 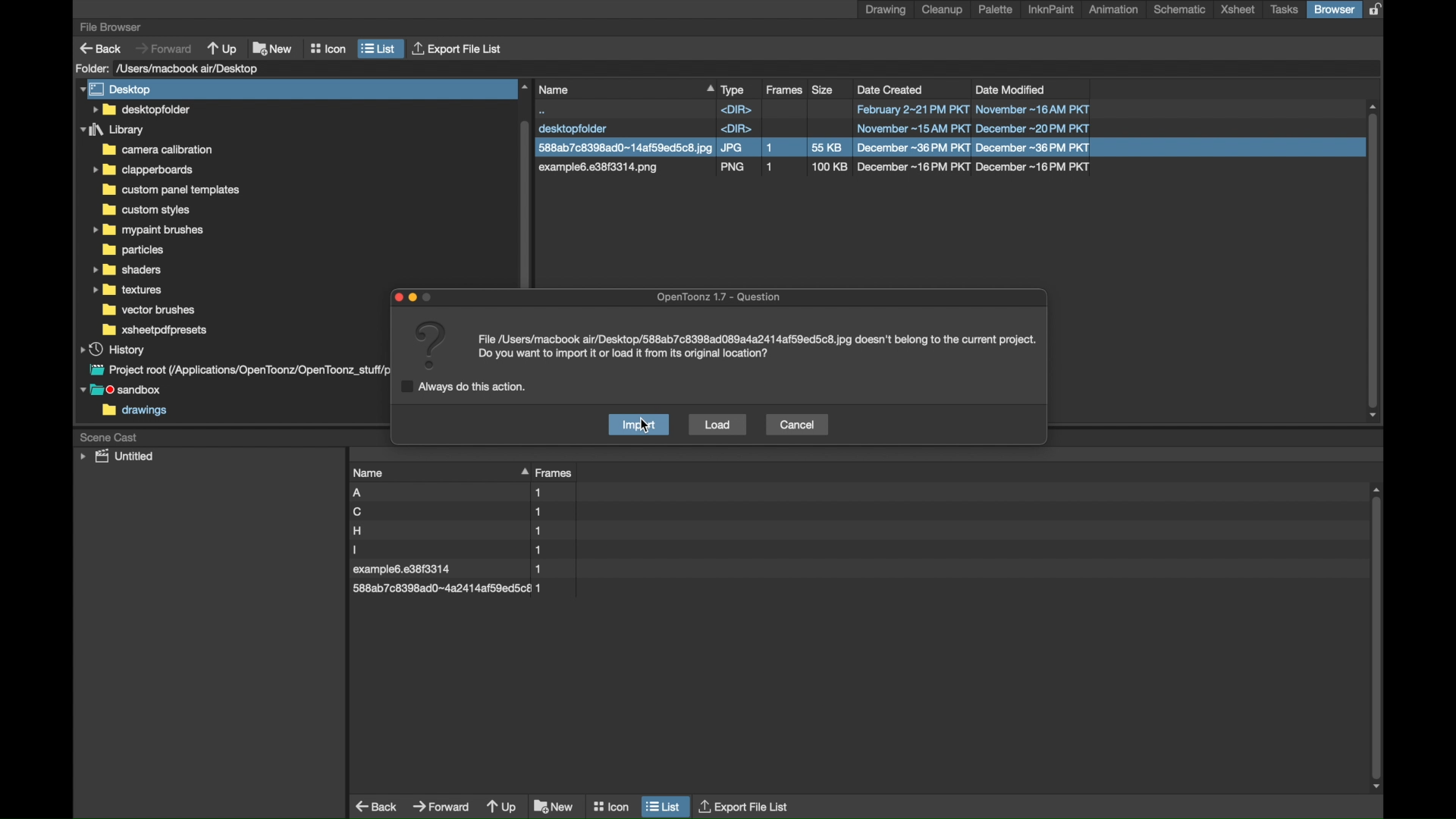 What do you see at coordinates (1285, 10) in the screenshot?
I see `tasks` at bounding box center [1285, 10].